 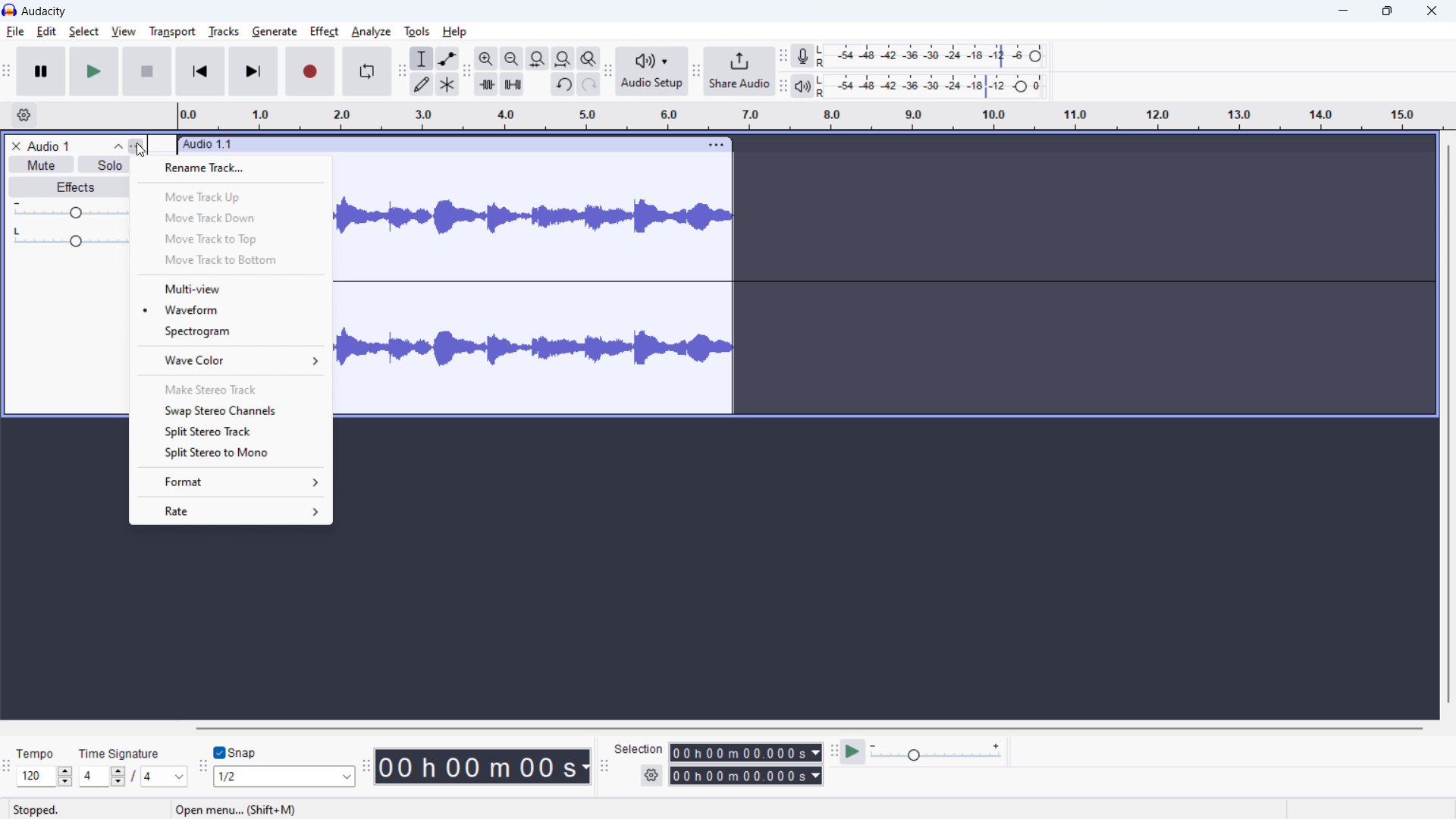 What do you see at coordinates (811, 728) in the screenshot?
I see `horizontal scrollbar` at bounding box center [811, 728].